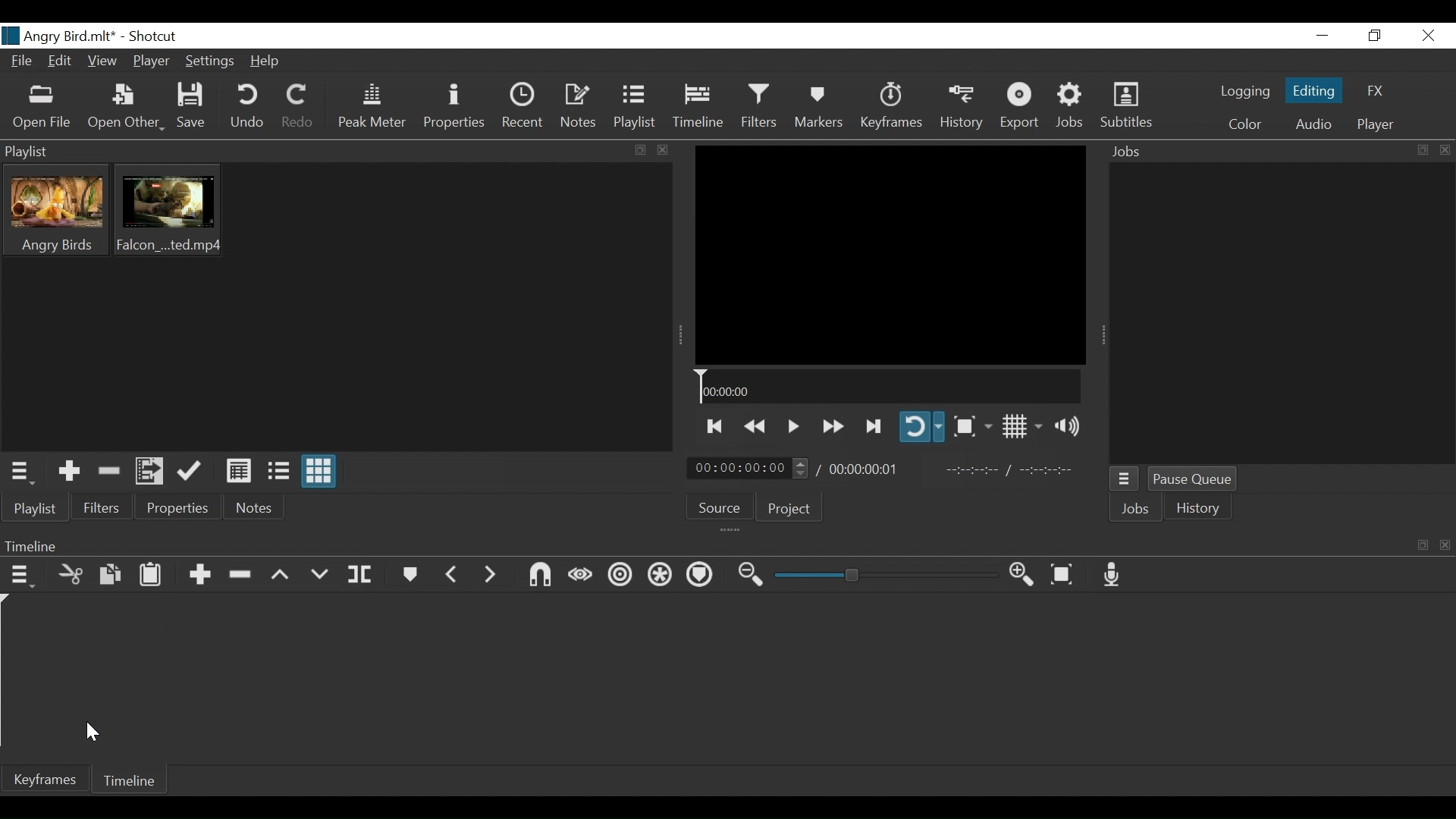 The height and width of the screenshot is (819, 1456). What do you see at coordinates (108, 470) in the screenshot?
I see `Remove cut` at bounding box center [108, 470].